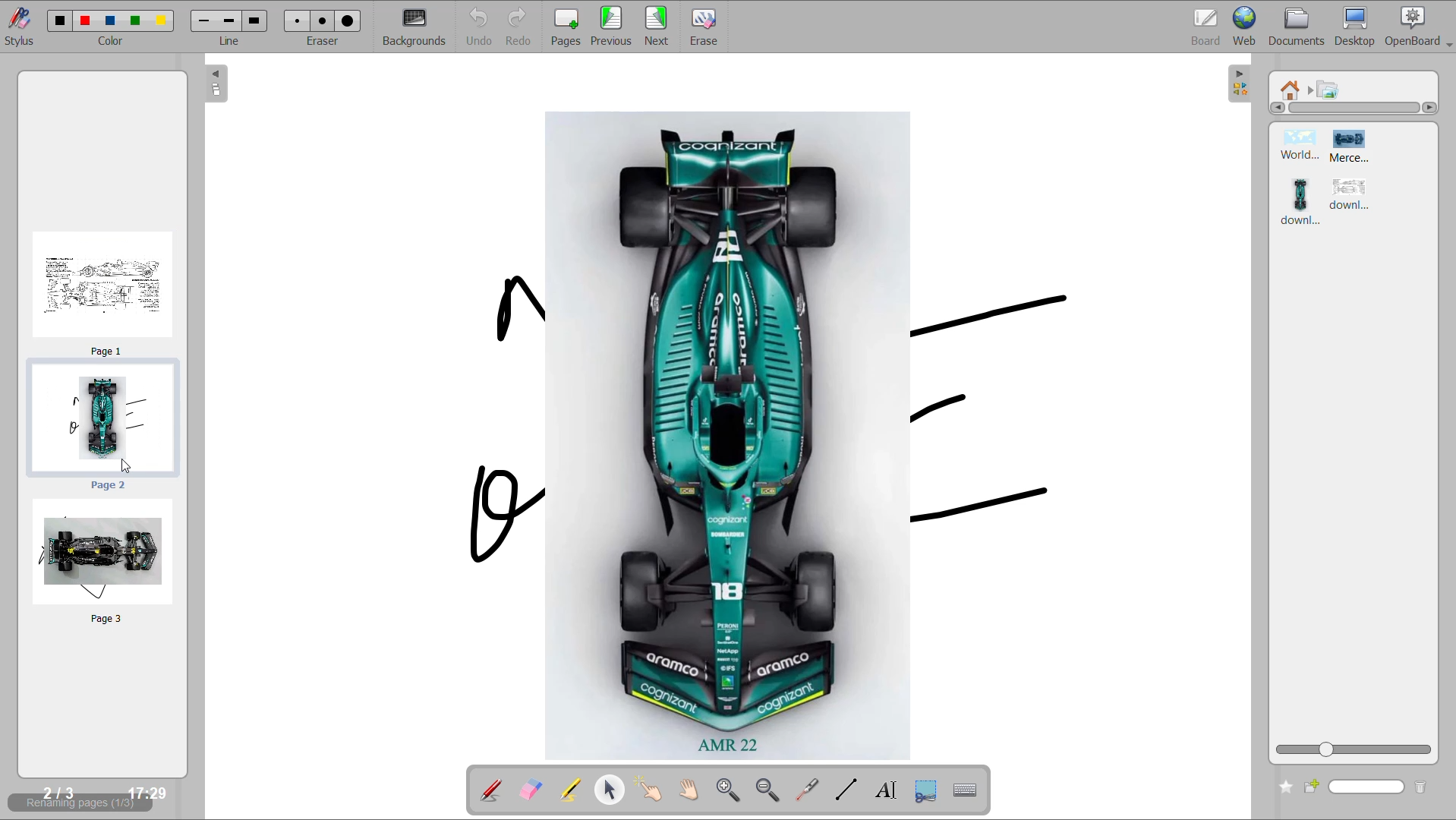 This screenshot has width=1456, height=820. What do you see at coordinates (688, 791) in the screenshot?
I see `scroll page` at bounding box center [688, 791].